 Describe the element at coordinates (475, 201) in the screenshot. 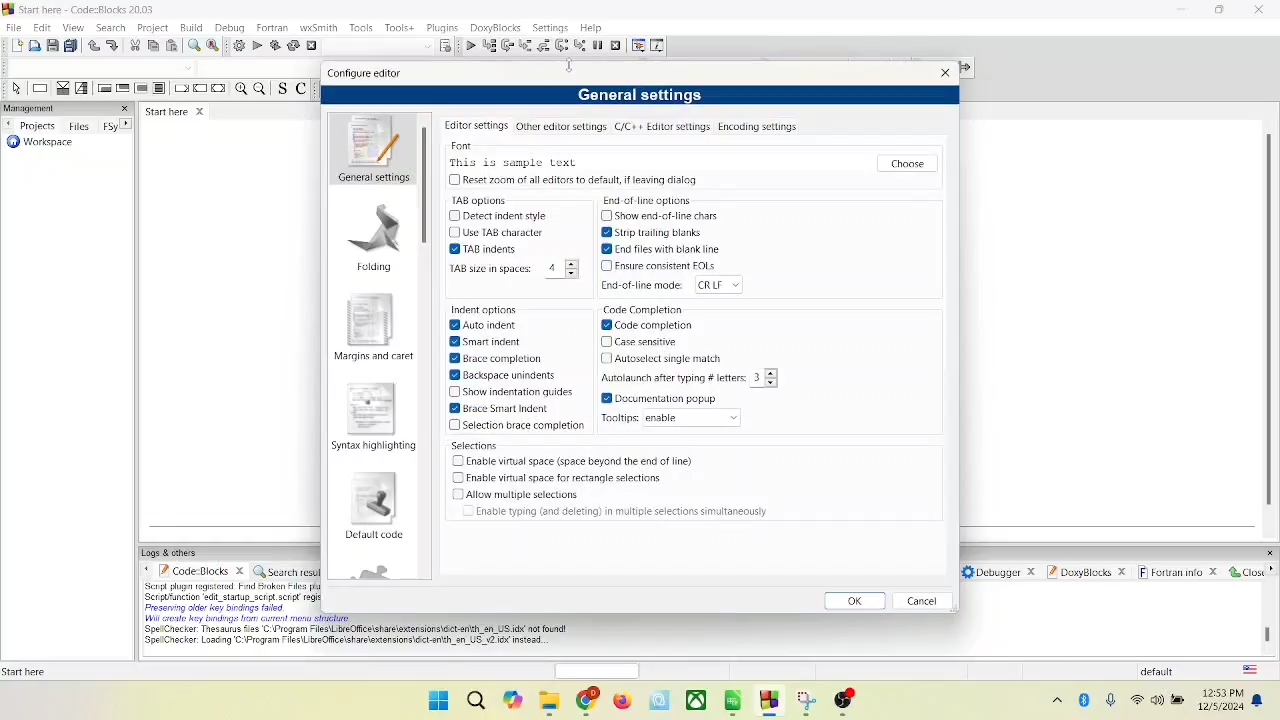

I see `TAB options` at that location.